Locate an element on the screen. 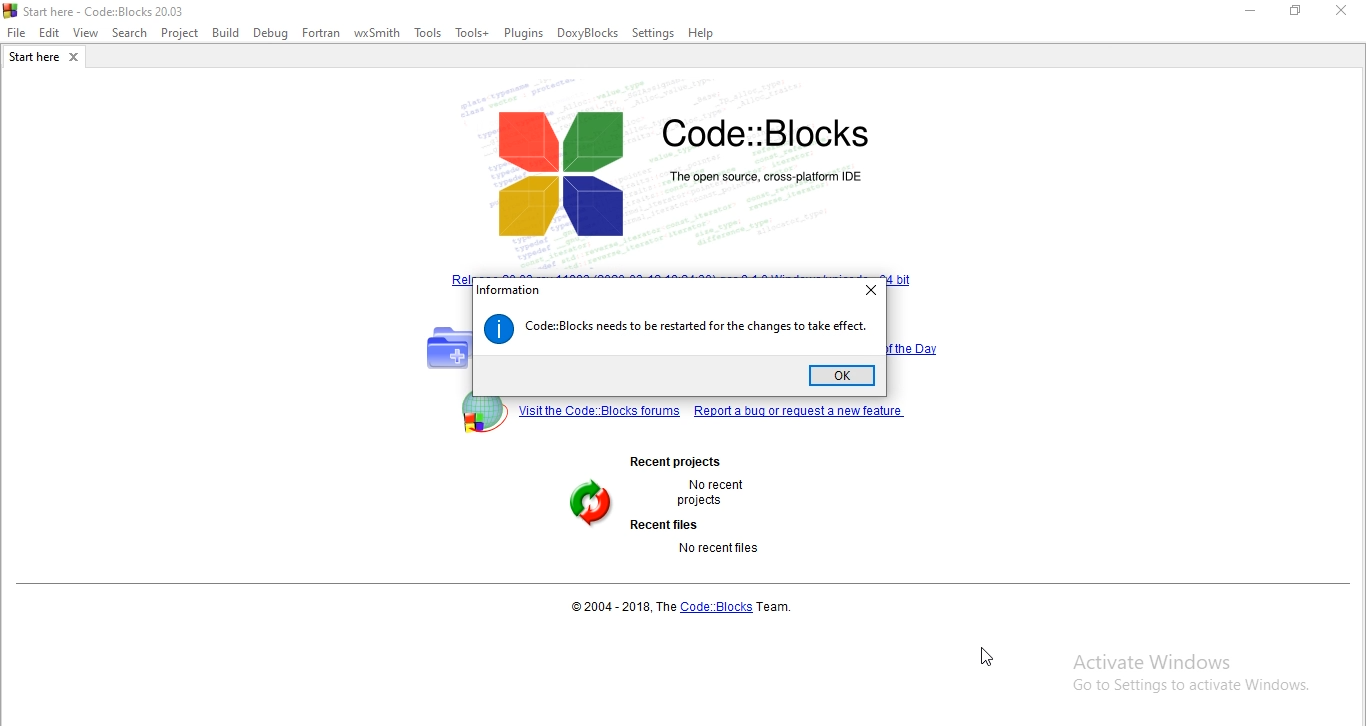  information is located at coordinates (509, 290).